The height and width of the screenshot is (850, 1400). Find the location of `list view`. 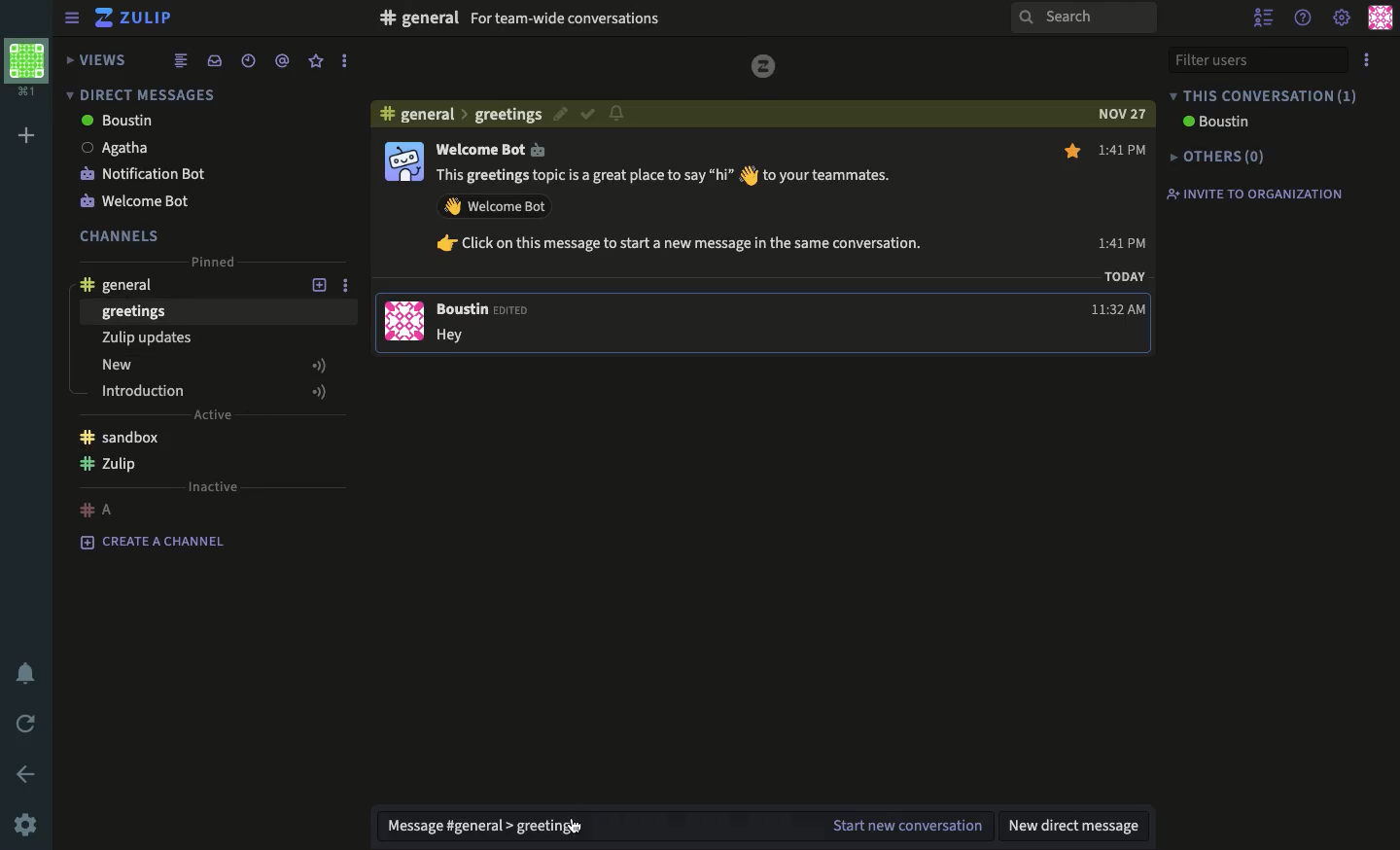

list view is located at coordinates (180, 59).